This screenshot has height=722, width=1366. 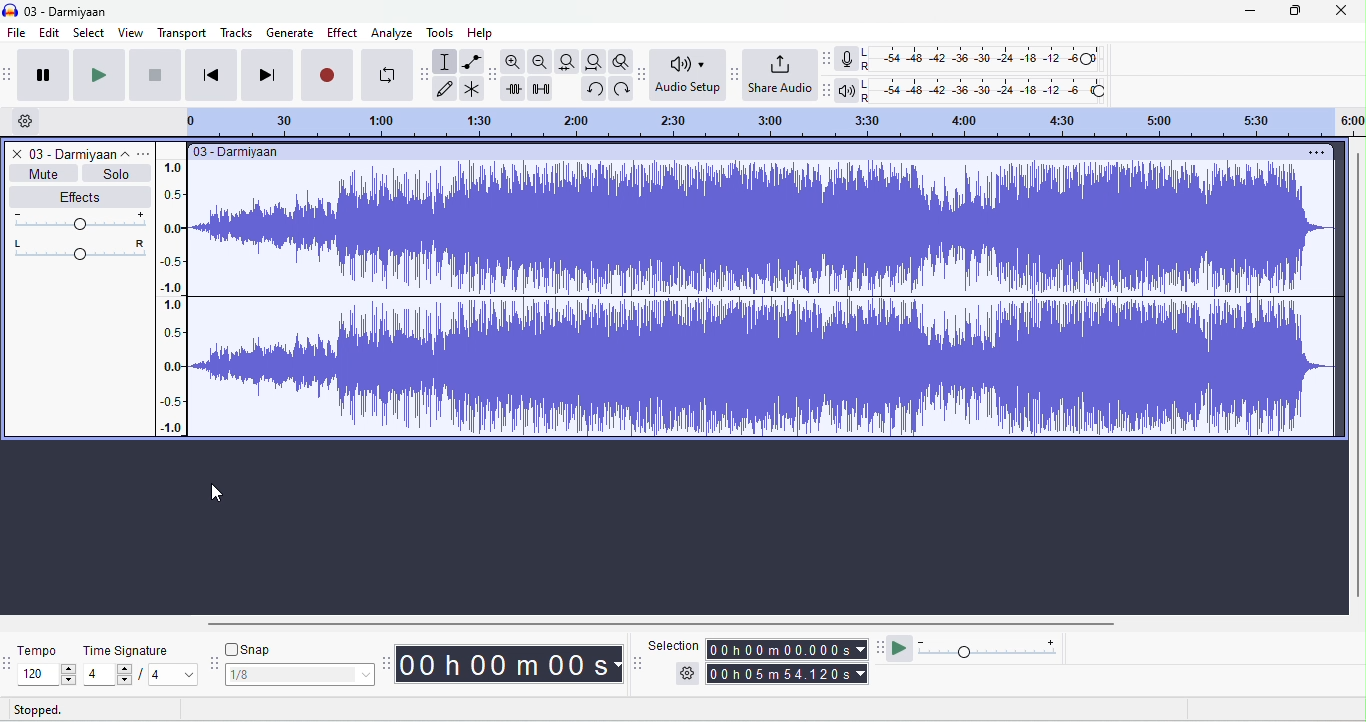 I want to click on options, so click(x=1316, y=152).